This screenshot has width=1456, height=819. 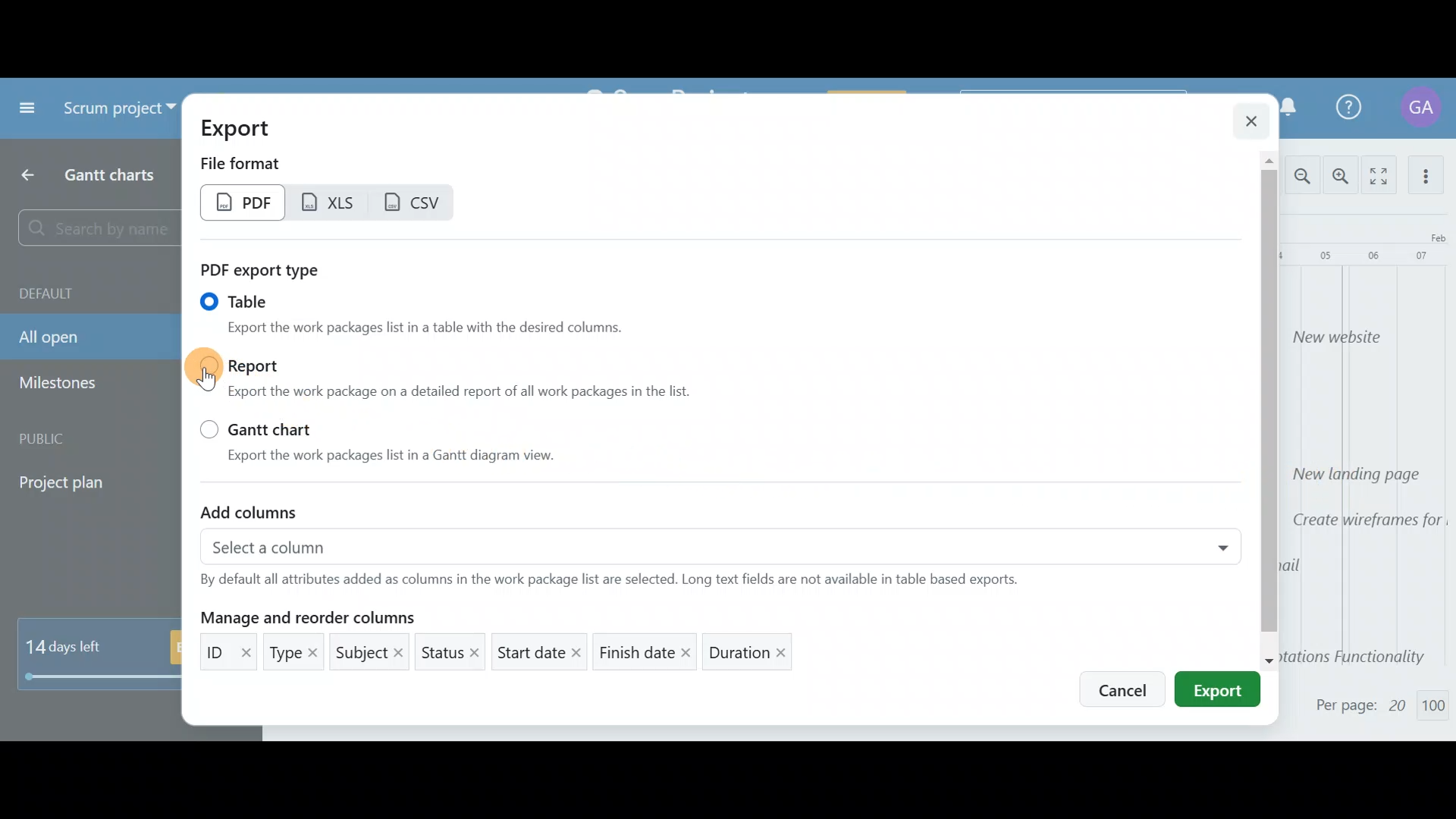 I want to click on Zoom in, so click(x=1342, y=177).